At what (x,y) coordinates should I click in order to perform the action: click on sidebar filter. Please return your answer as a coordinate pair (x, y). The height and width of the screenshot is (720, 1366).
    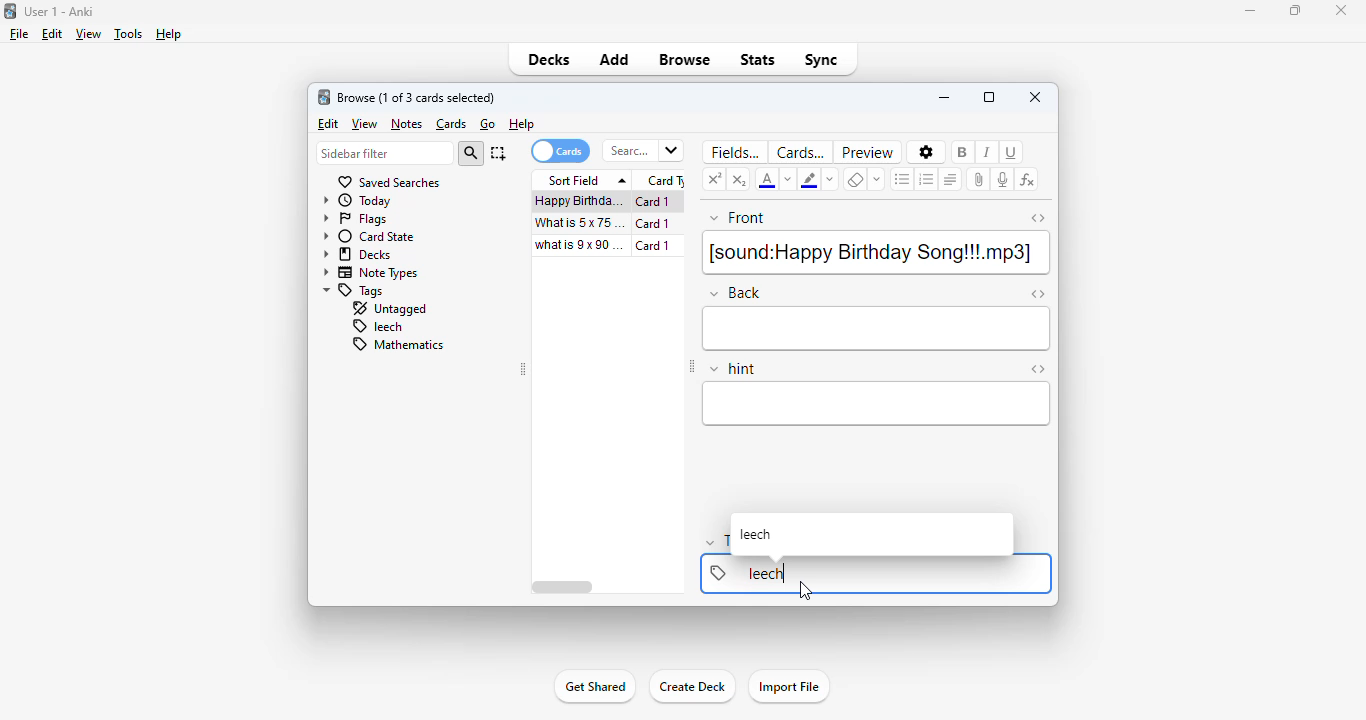
    Looking at the image, I should click on (384, 154).